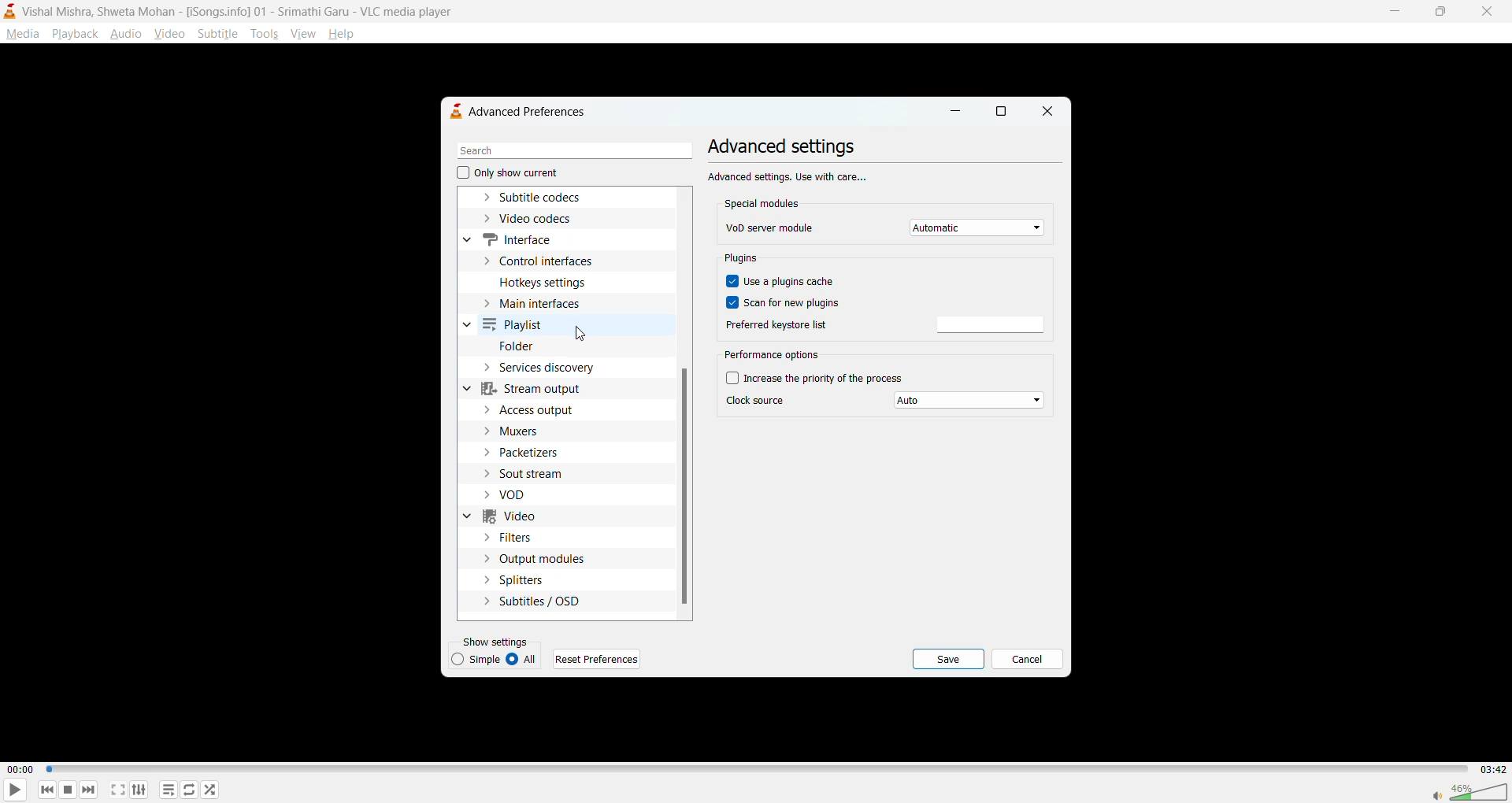 This screenshot has width=1512, height=803. I want to click on performance options, so click(774, 356).